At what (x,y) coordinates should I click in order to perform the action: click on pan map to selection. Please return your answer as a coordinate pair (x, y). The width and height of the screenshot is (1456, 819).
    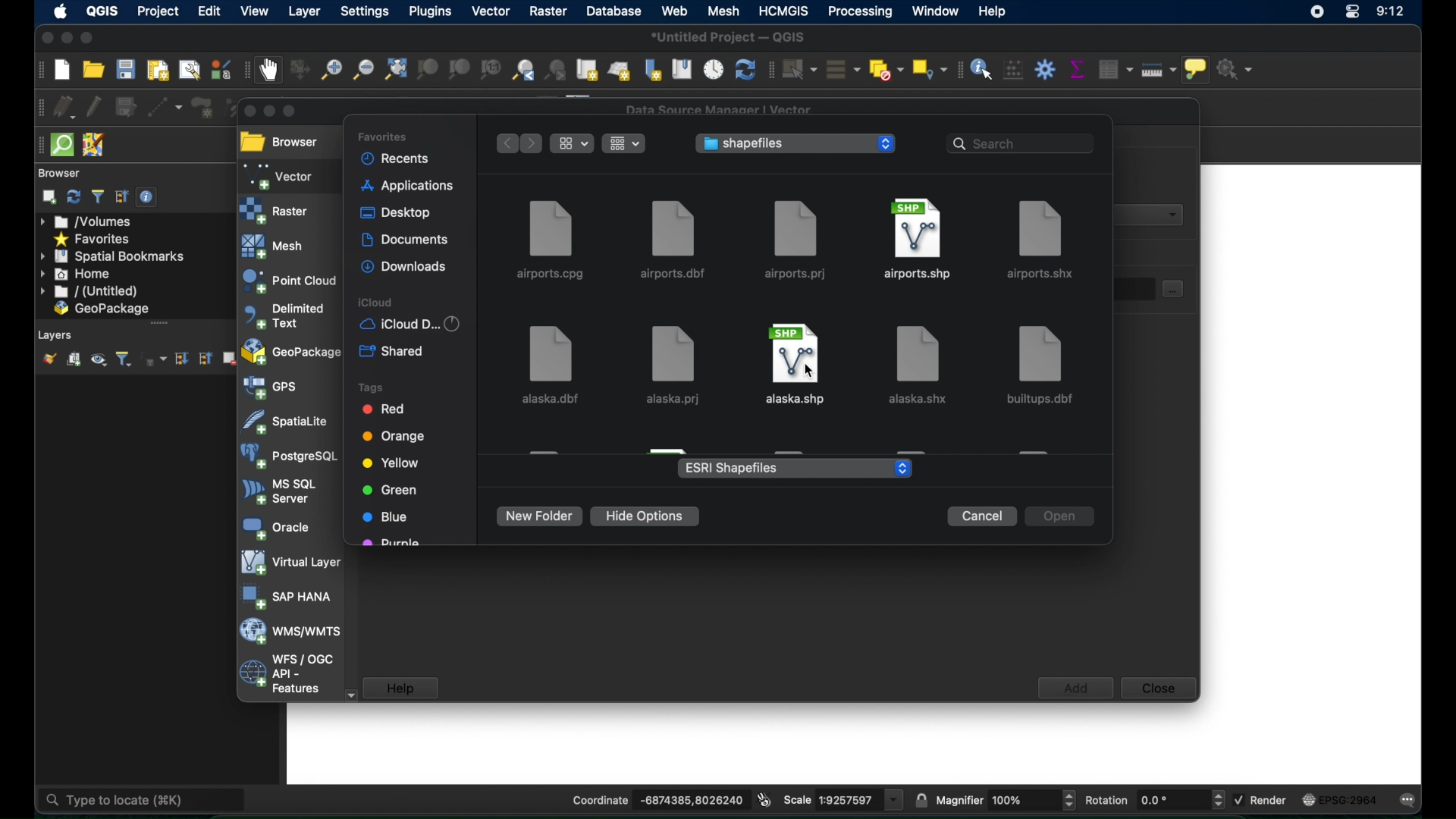
    Looking at the image, I should click on (300, 70).